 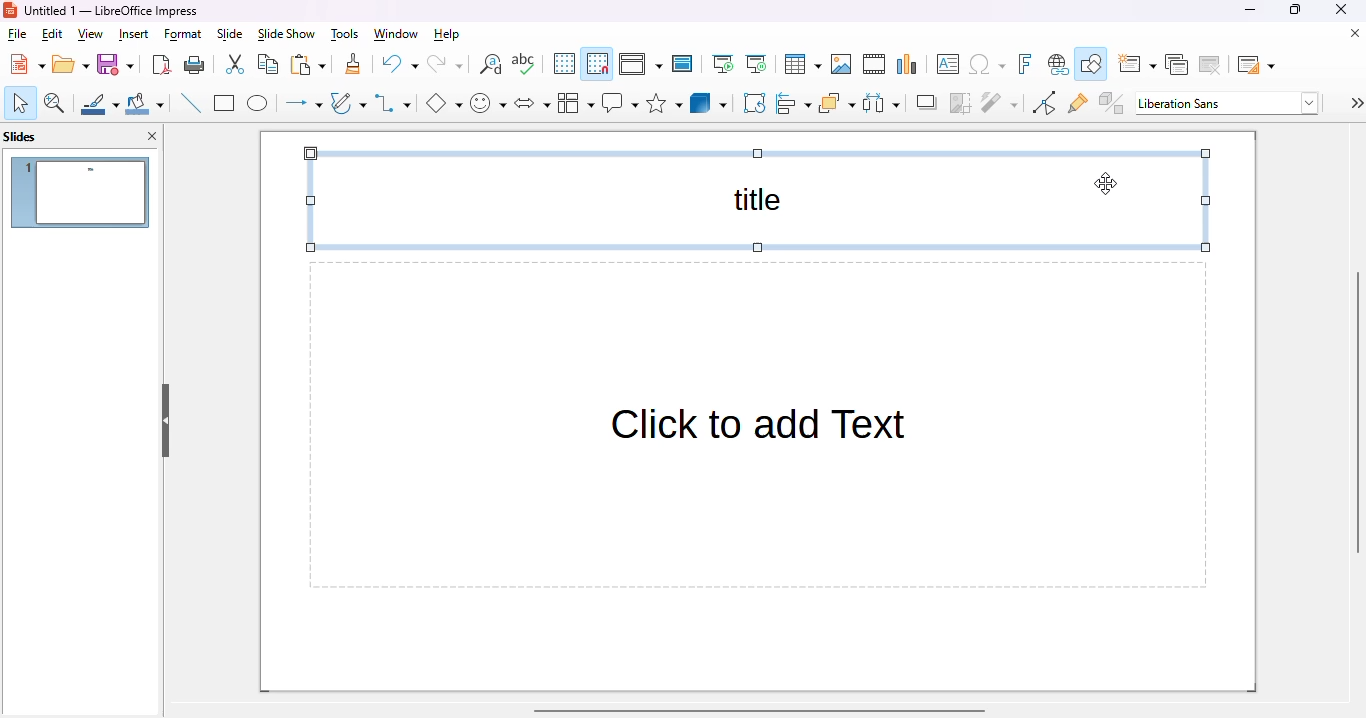 What do you see at coordinates (55, 103) in the screenshot?
I see `zoom & pan` at bounding box center [55, 103].